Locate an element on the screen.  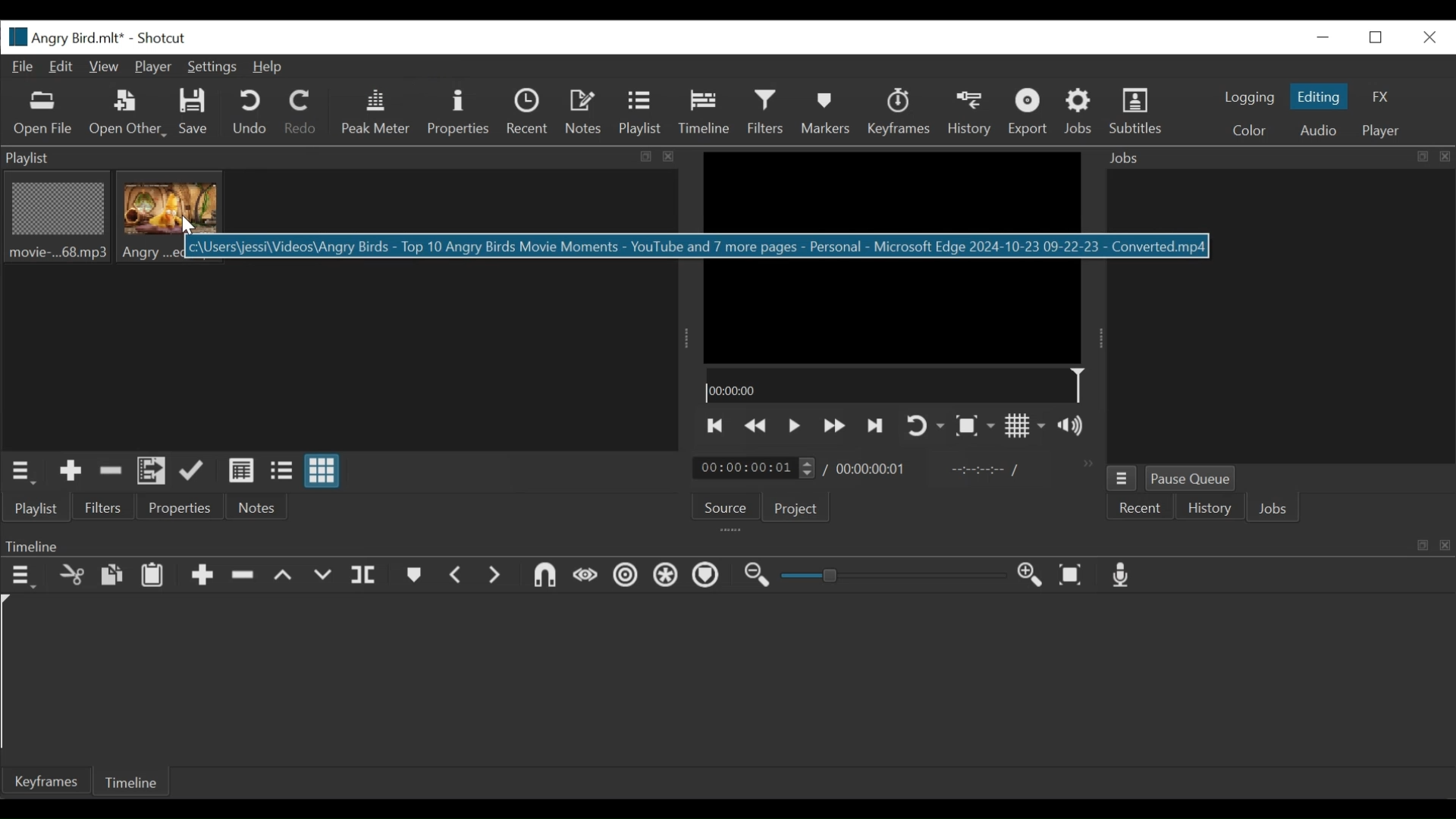
Play quickly backward is located at coordinates (758, 427).